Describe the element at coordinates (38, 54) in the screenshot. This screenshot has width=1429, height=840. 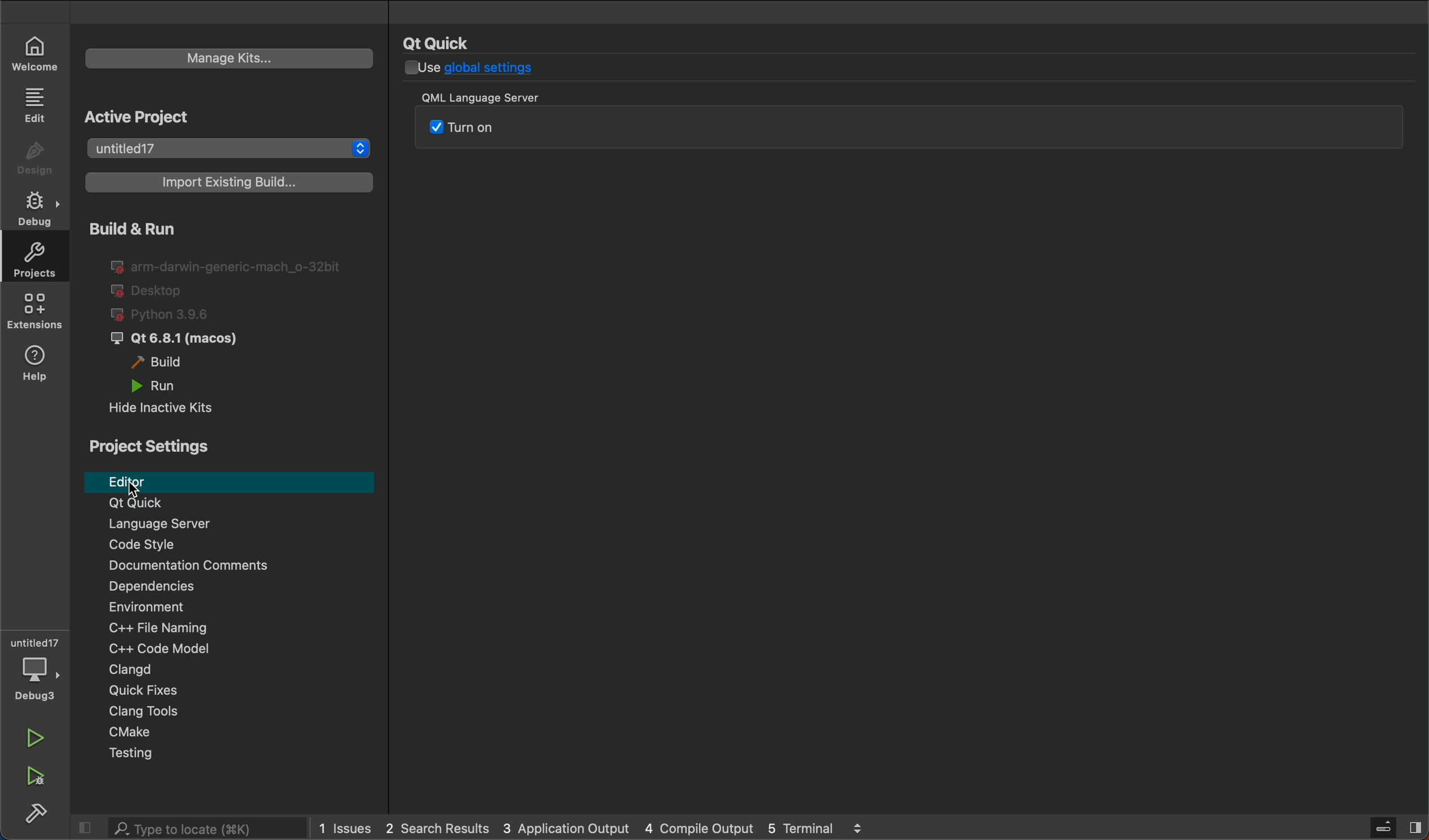
I see `welcome` at that location.